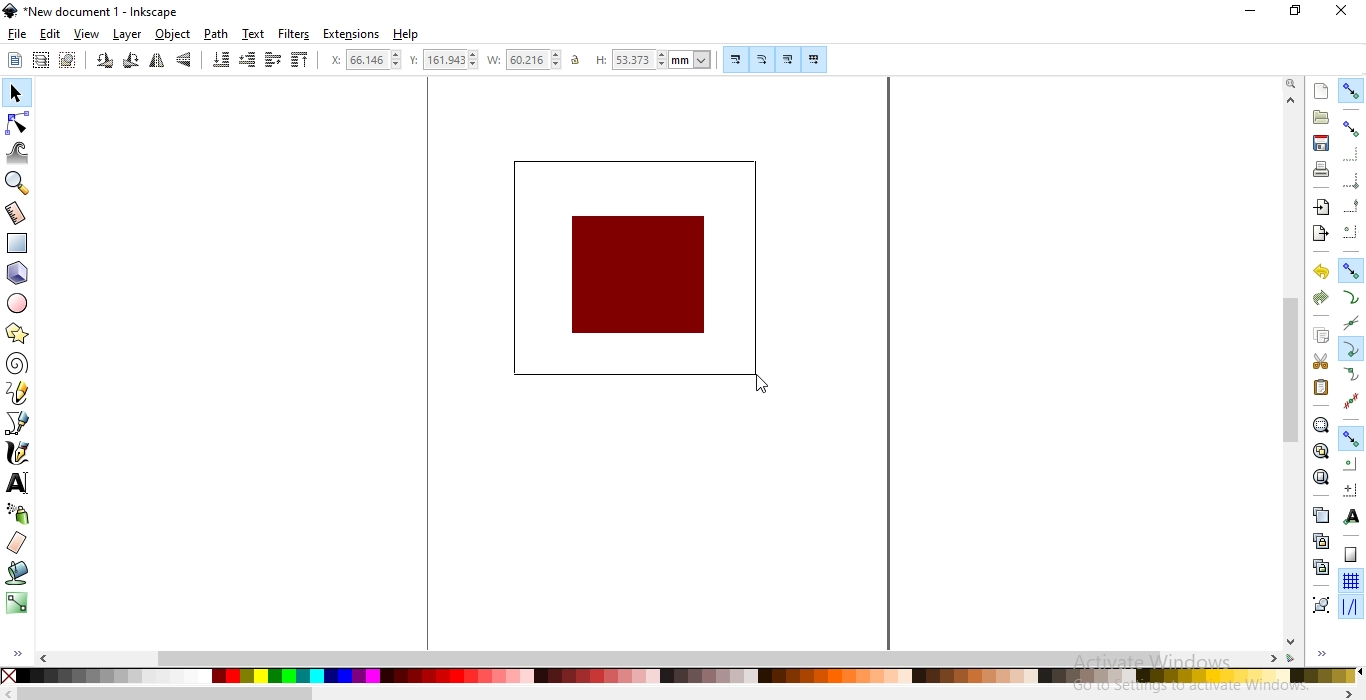 The width and height of the screenshot is (1366, 700). What do you see at coordinates (254, 34) in the screenshot?
I see `text` at bounding box center [254, 34].